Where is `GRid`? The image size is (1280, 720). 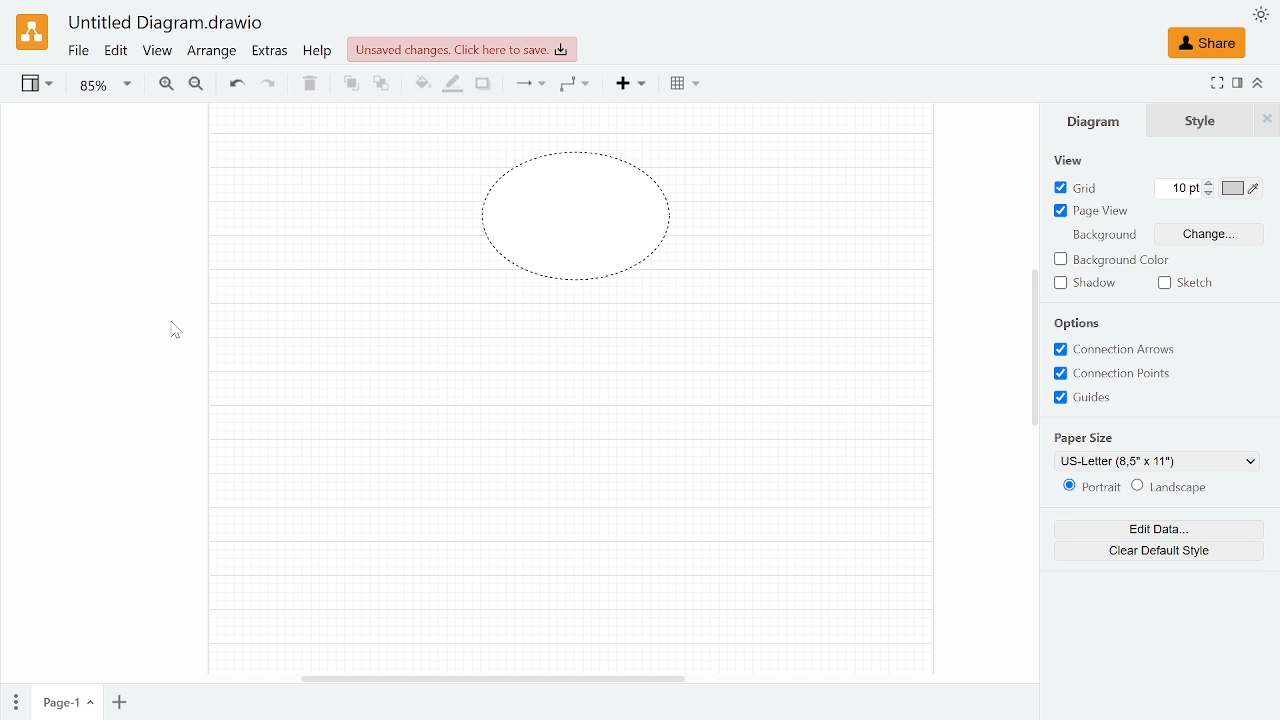
GRid is located at coordinates (1086, 188).